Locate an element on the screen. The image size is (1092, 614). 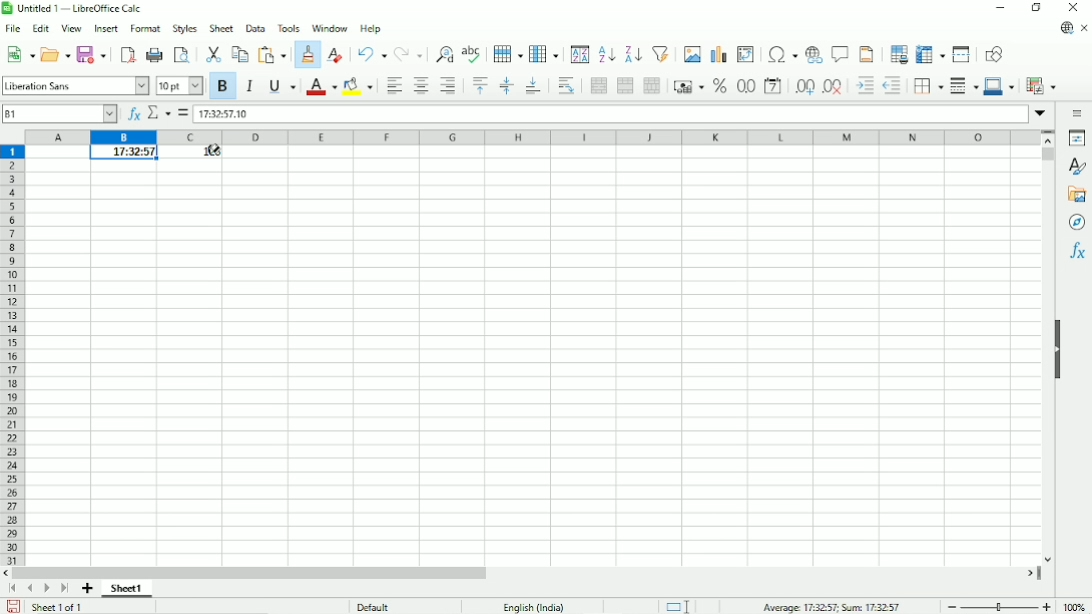
Center vertically is located at coordinates (505, 86).